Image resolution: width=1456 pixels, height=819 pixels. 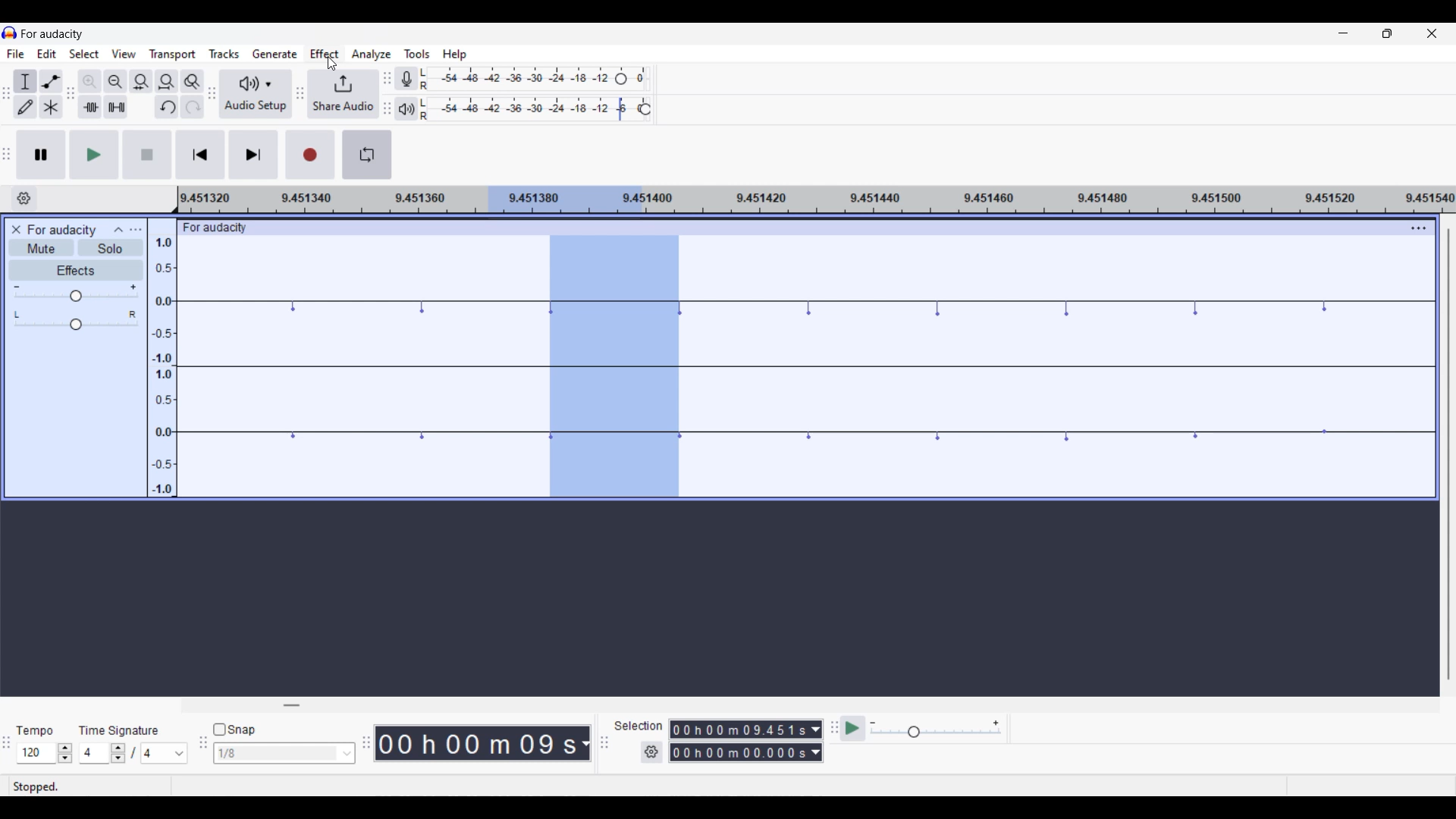 I want to click on Horizontal slide bar, so click(x=291, y=705).